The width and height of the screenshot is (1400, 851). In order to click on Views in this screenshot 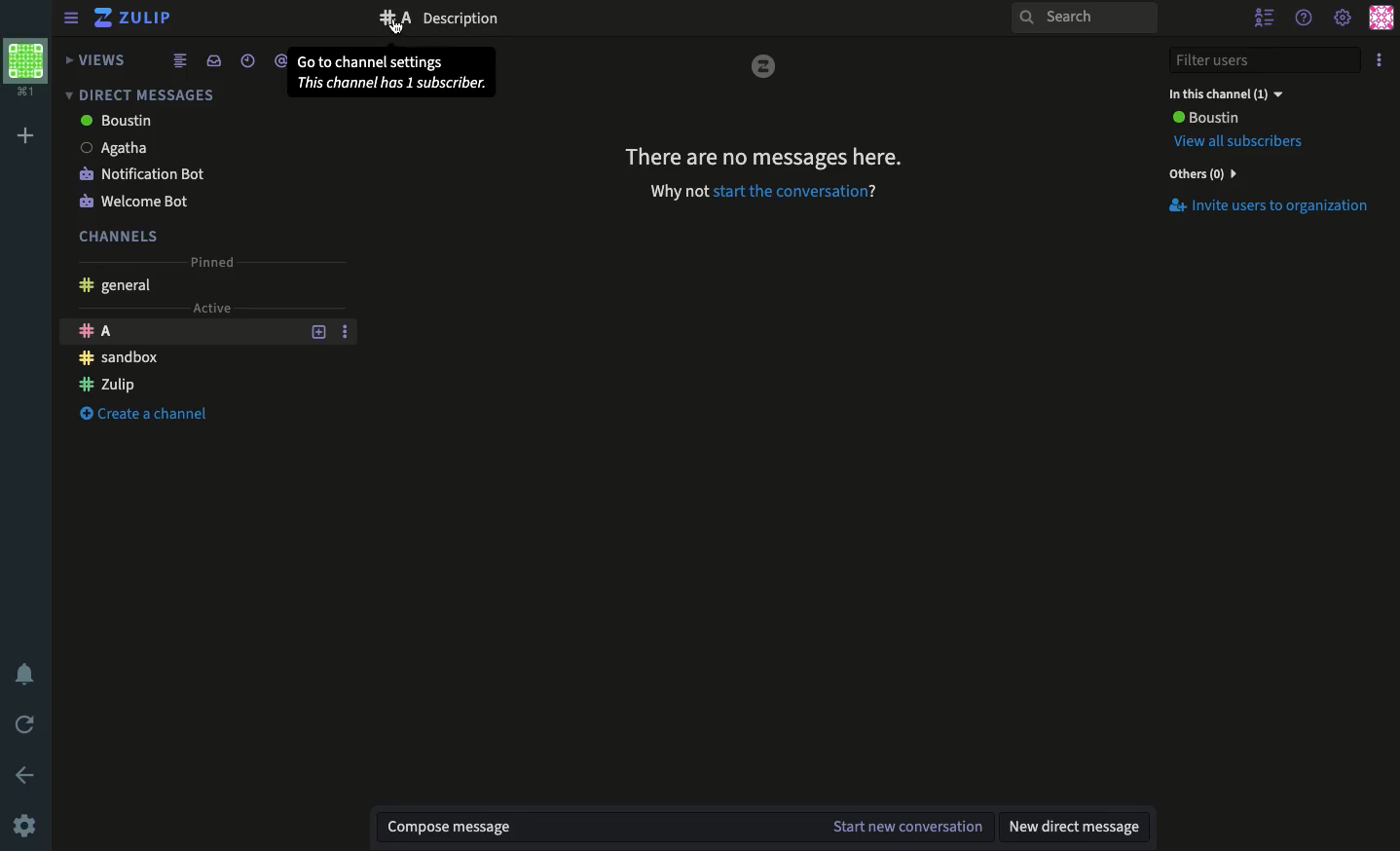, I will do `click(98, 60)`.